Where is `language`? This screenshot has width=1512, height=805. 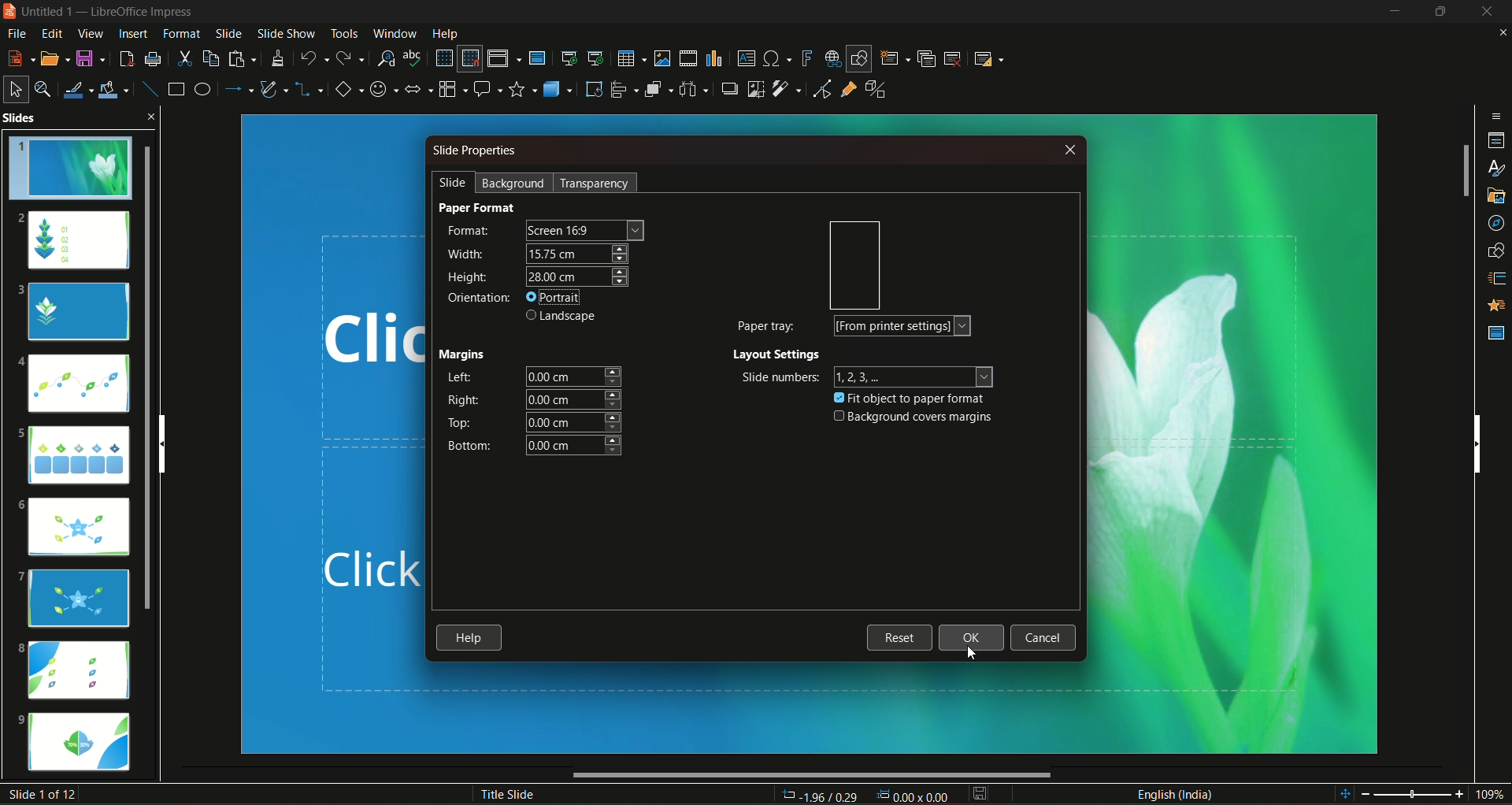
language is located at coordinates (1175, 793).